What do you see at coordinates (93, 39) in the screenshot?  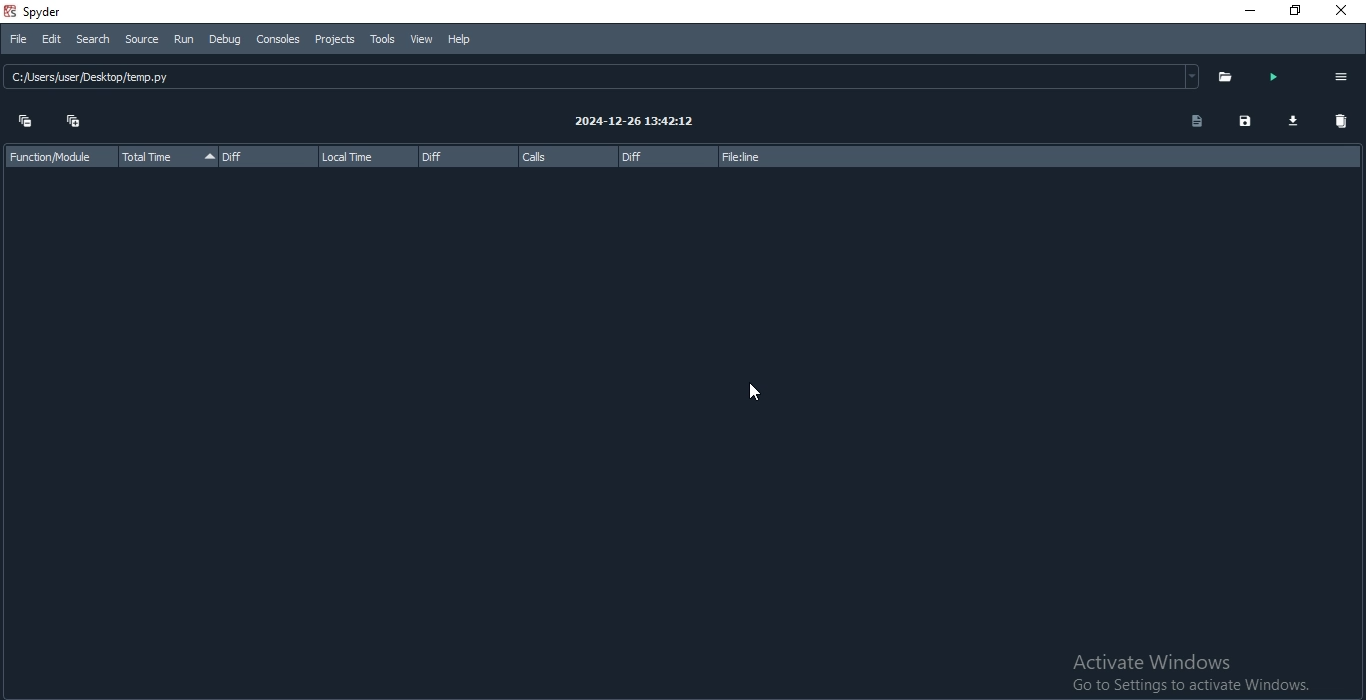 I see `Search` at bounding box center [93, 39].